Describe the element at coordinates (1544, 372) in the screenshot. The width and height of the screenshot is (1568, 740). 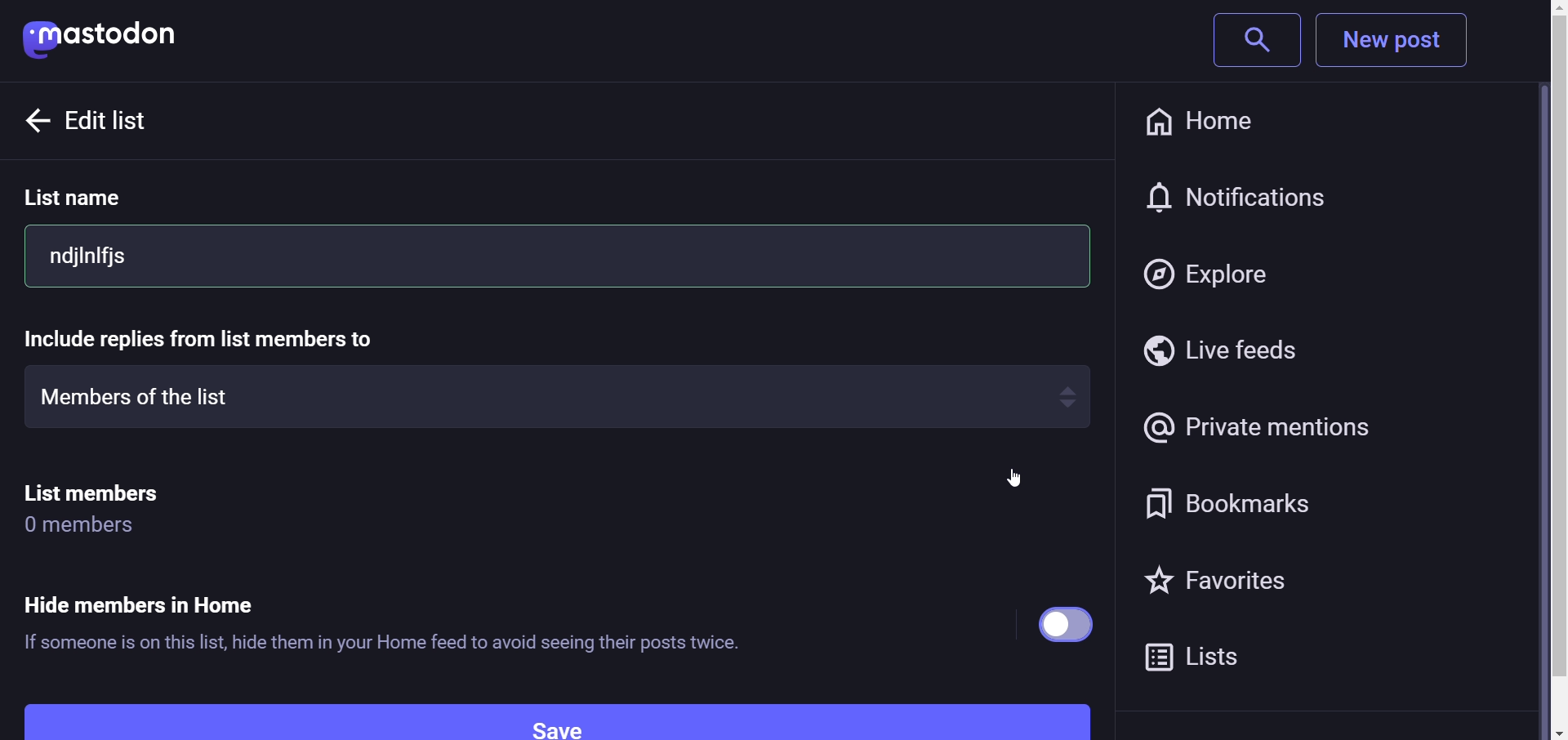
I see `Vertical Scroll Bar` at that location.